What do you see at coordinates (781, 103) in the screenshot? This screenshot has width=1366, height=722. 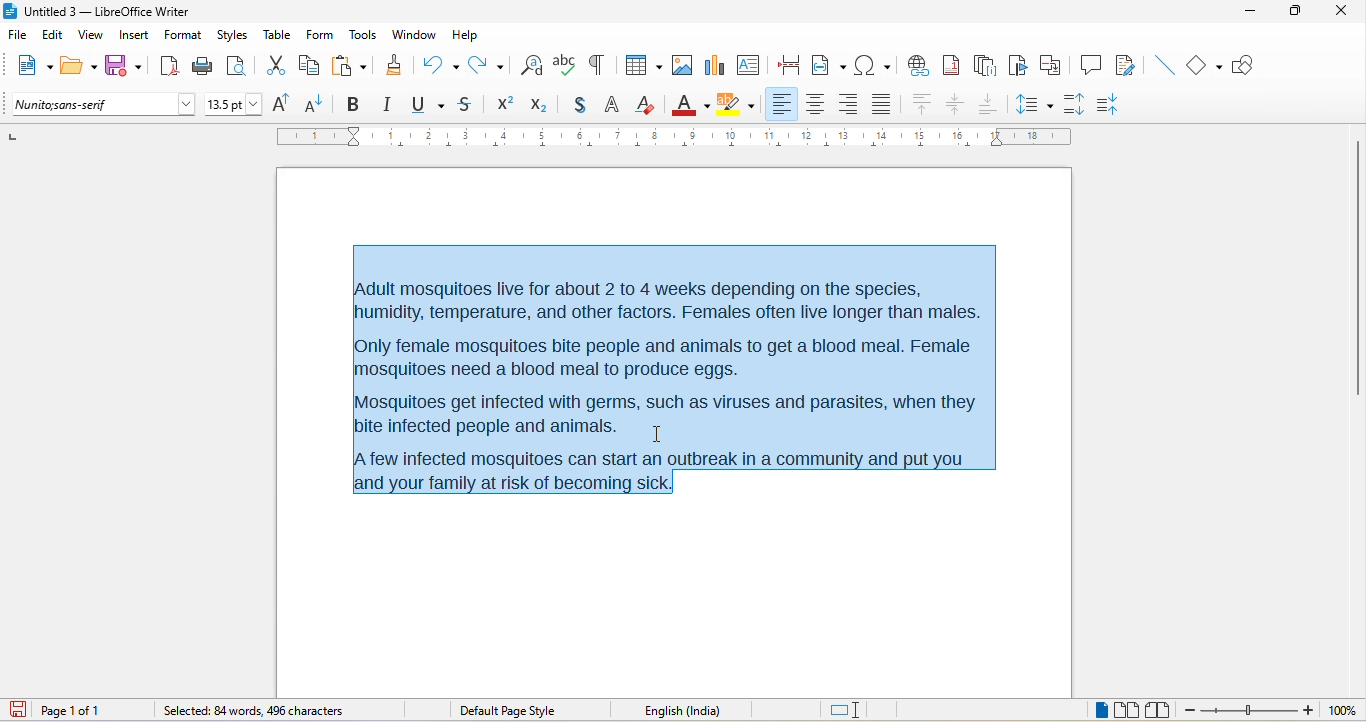 I see `align left` at bounding box center [781, 103].